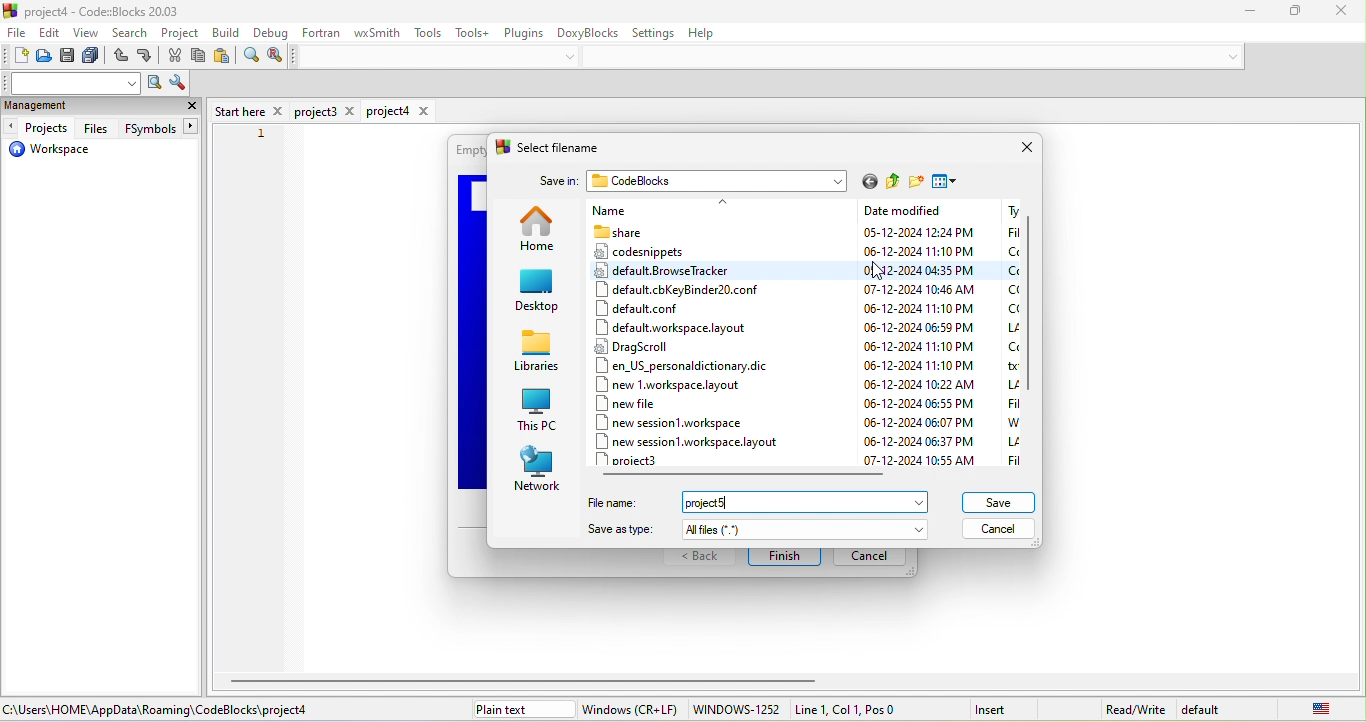  What do you see at coordinates (656, 32) in the screenshot?
I see `settings` at bounding box center [656, 32].